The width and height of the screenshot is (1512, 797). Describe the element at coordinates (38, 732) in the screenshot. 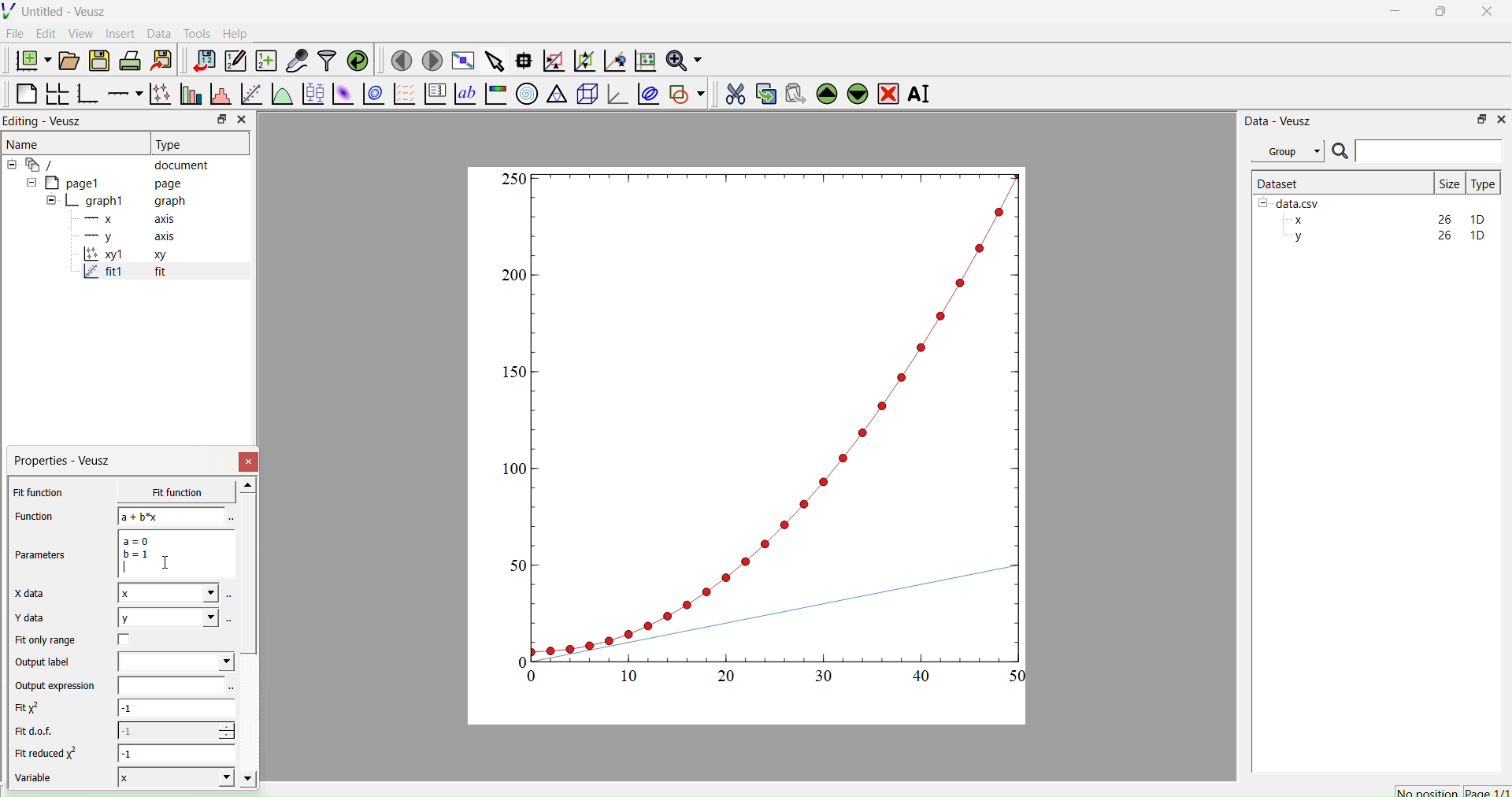

I see `Fit dof.` at that location.